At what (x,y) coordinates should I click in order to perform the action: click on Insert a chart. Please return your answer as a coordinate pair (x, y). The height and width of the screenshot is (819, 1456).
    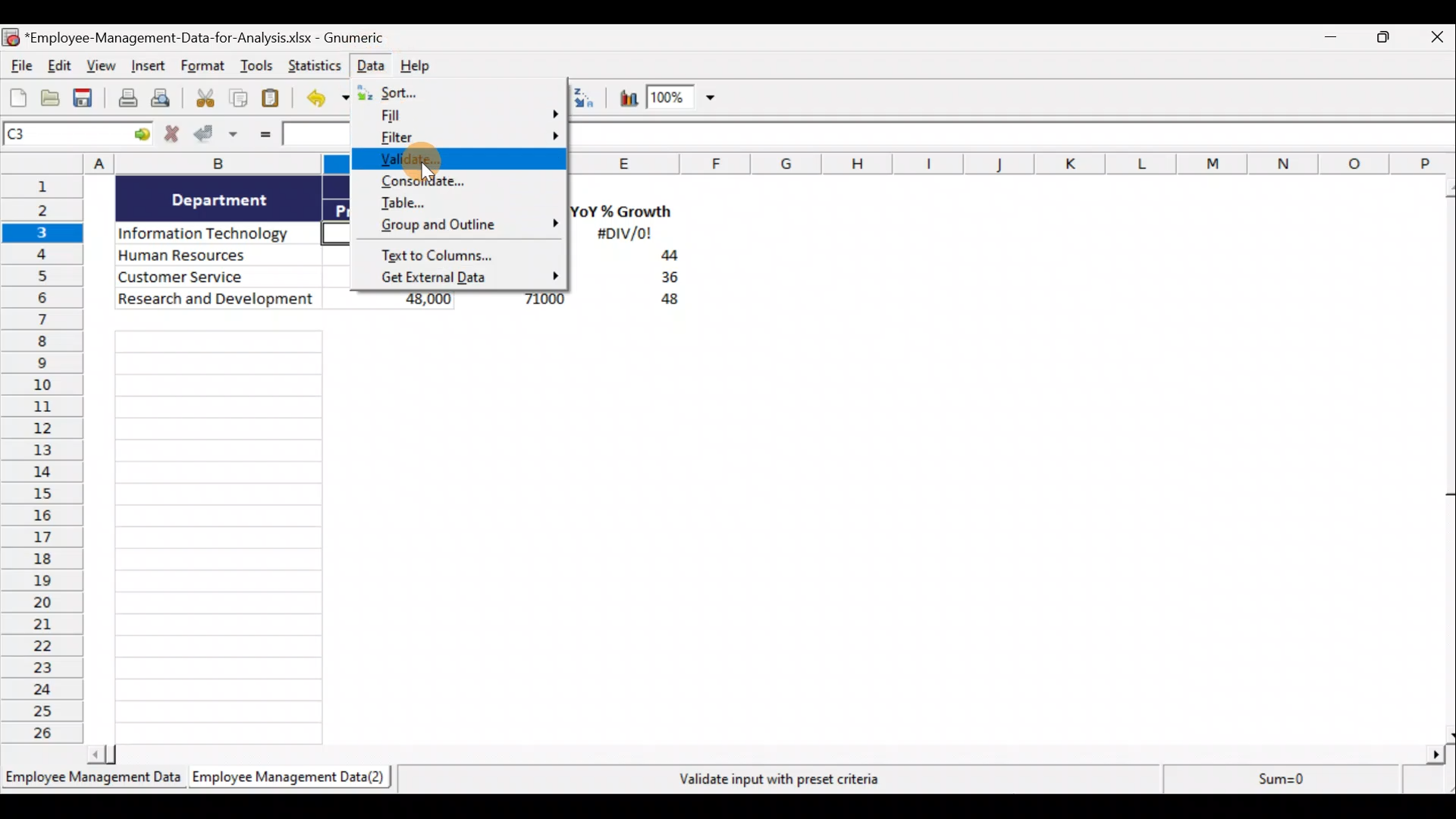
    Looking at the image, I should click on (622, 97).